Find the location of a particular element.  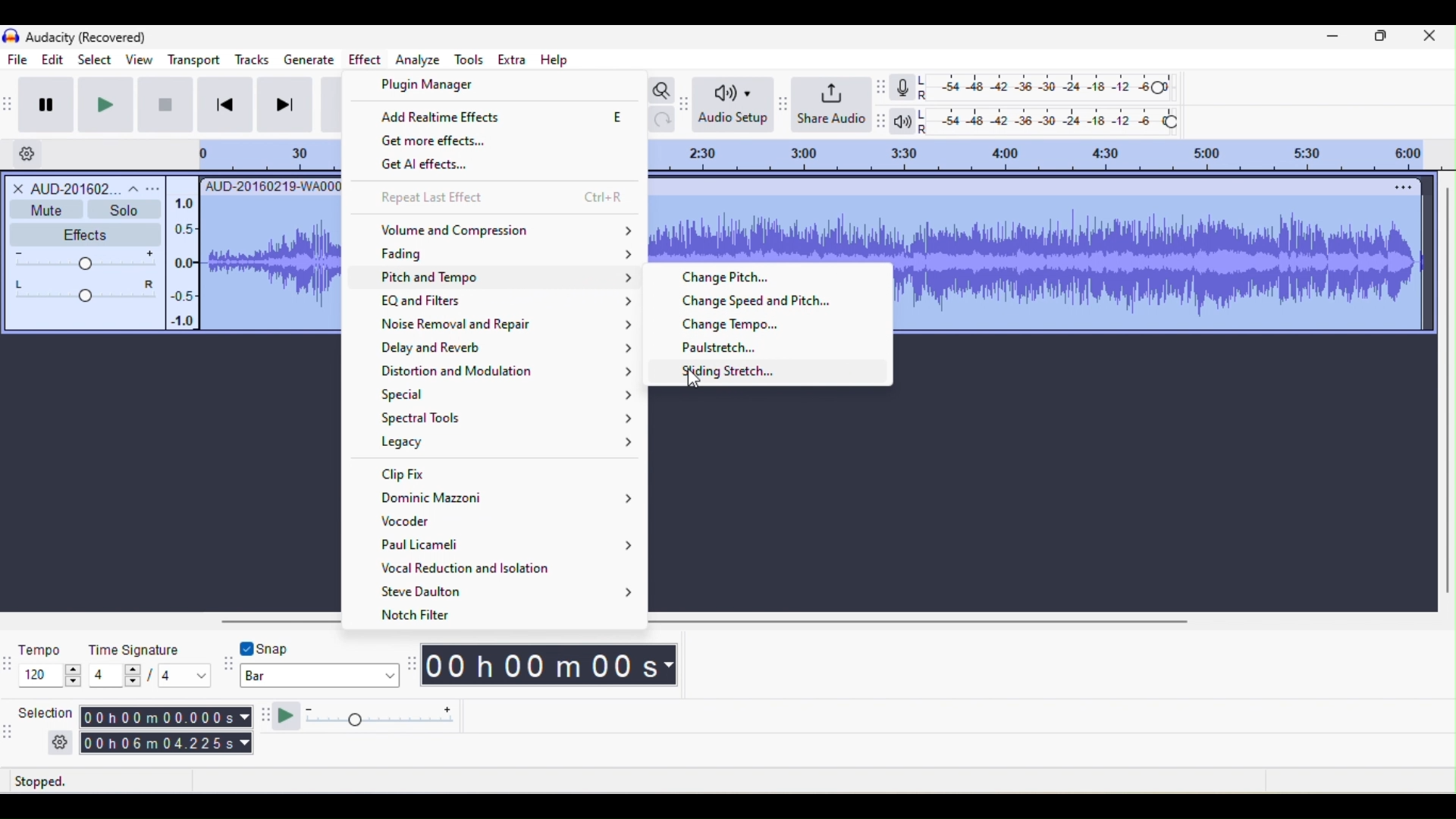

00 h 00 m 00.000 s is located at coordinates (166, 717).